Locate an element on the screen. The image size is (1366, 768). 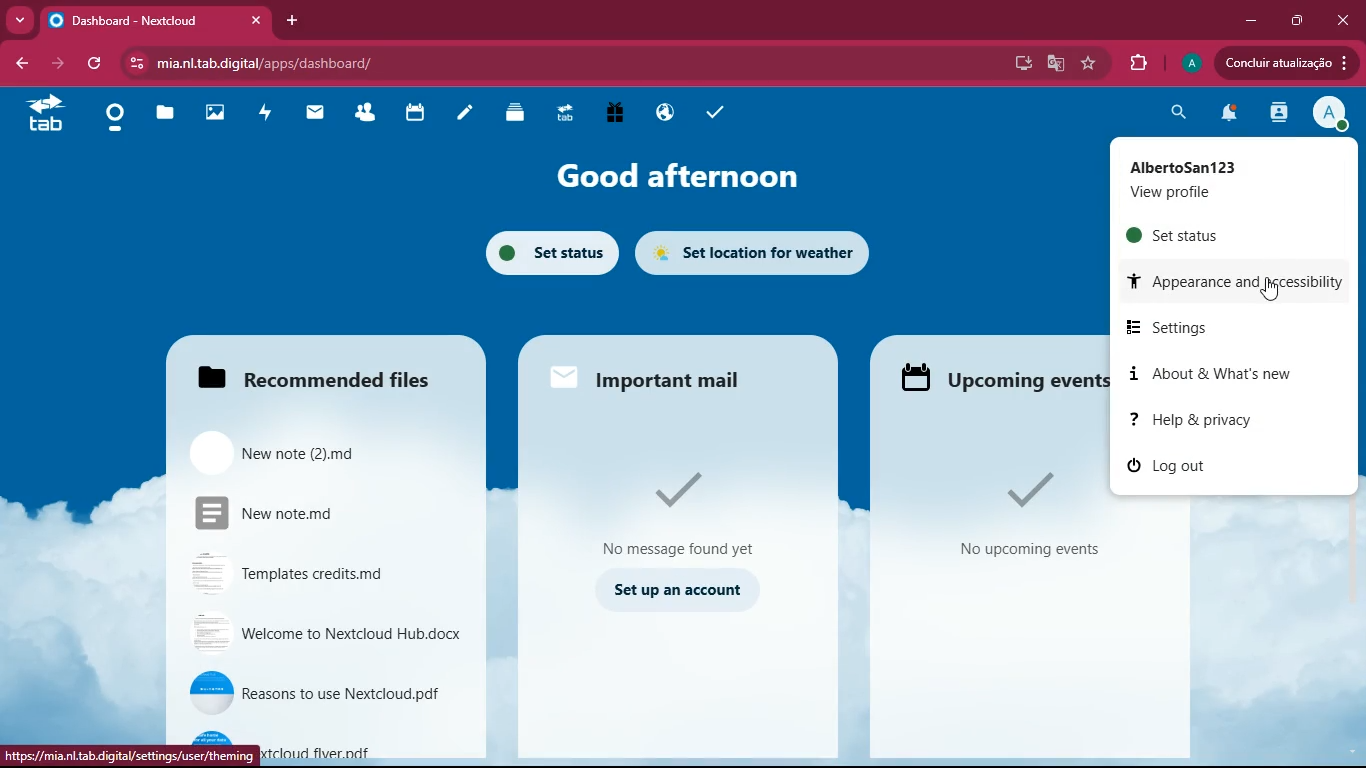
set status is located at coordinates (1230, 233).